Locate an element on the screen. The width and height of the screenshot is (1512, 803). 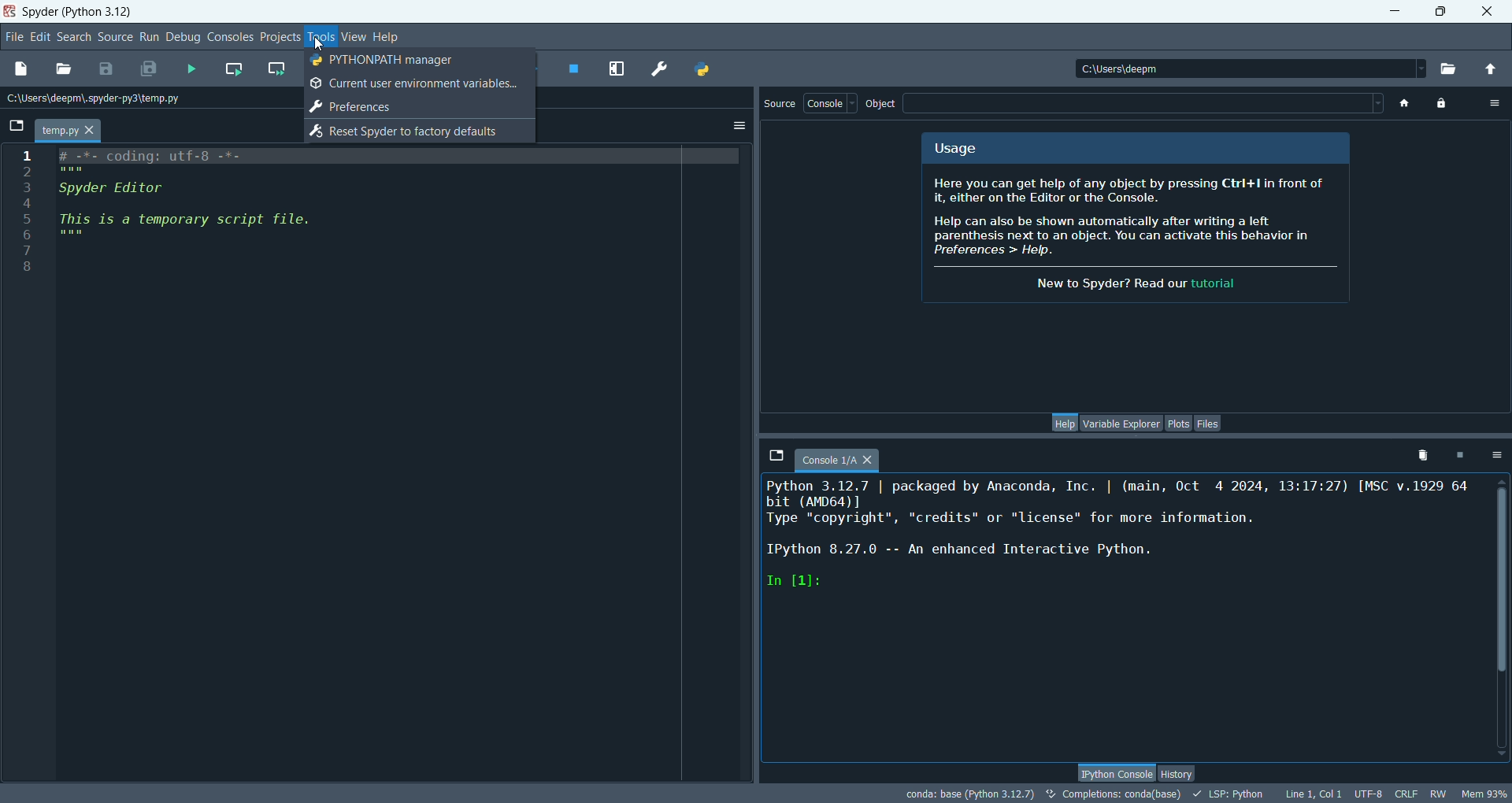
numbers is located at coordinates (28, 216).